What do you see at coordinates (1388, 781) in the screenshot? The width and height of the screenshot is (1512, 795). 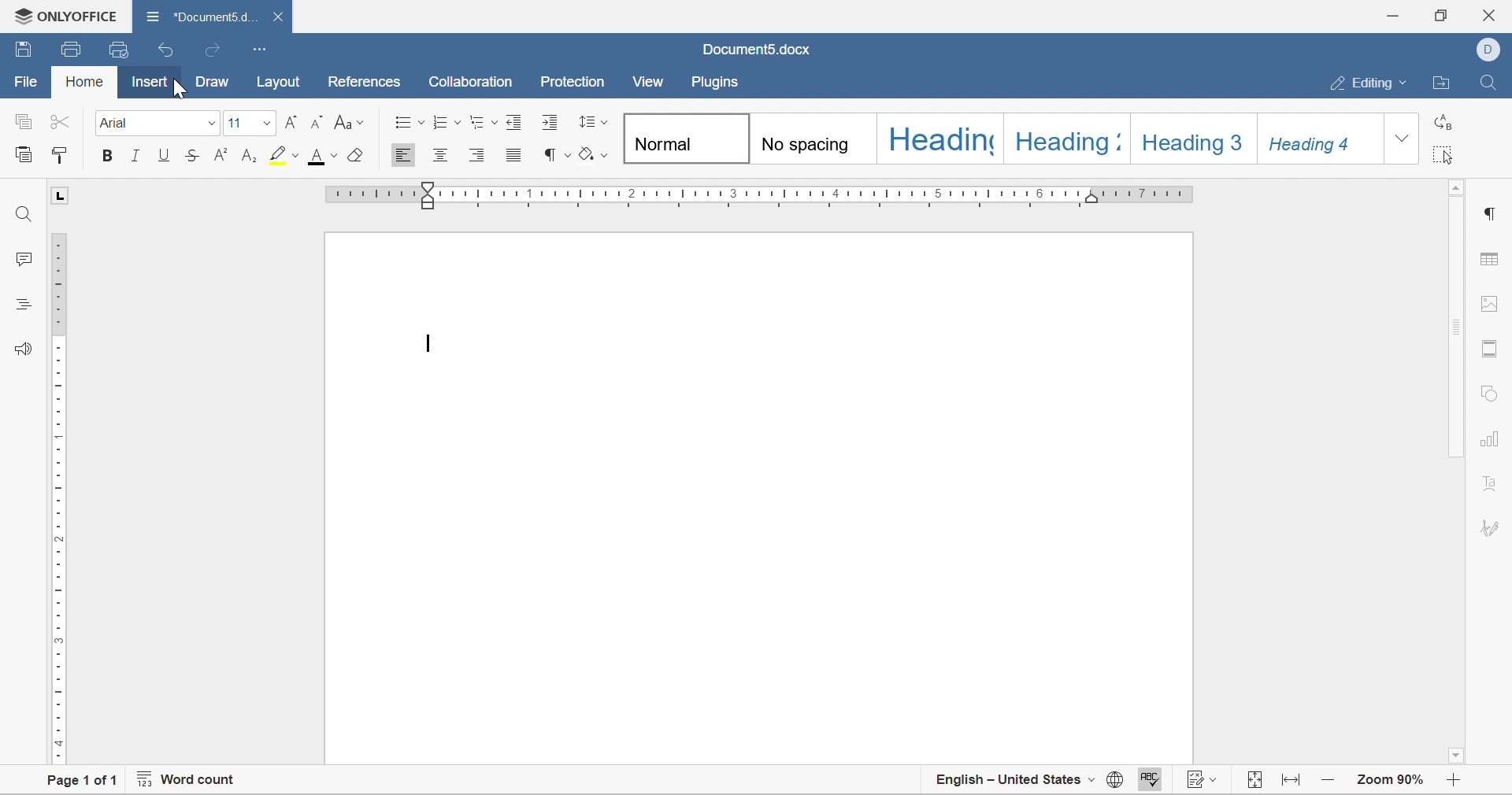 I see `zoom 90%` at bounding box center [1388, 781].